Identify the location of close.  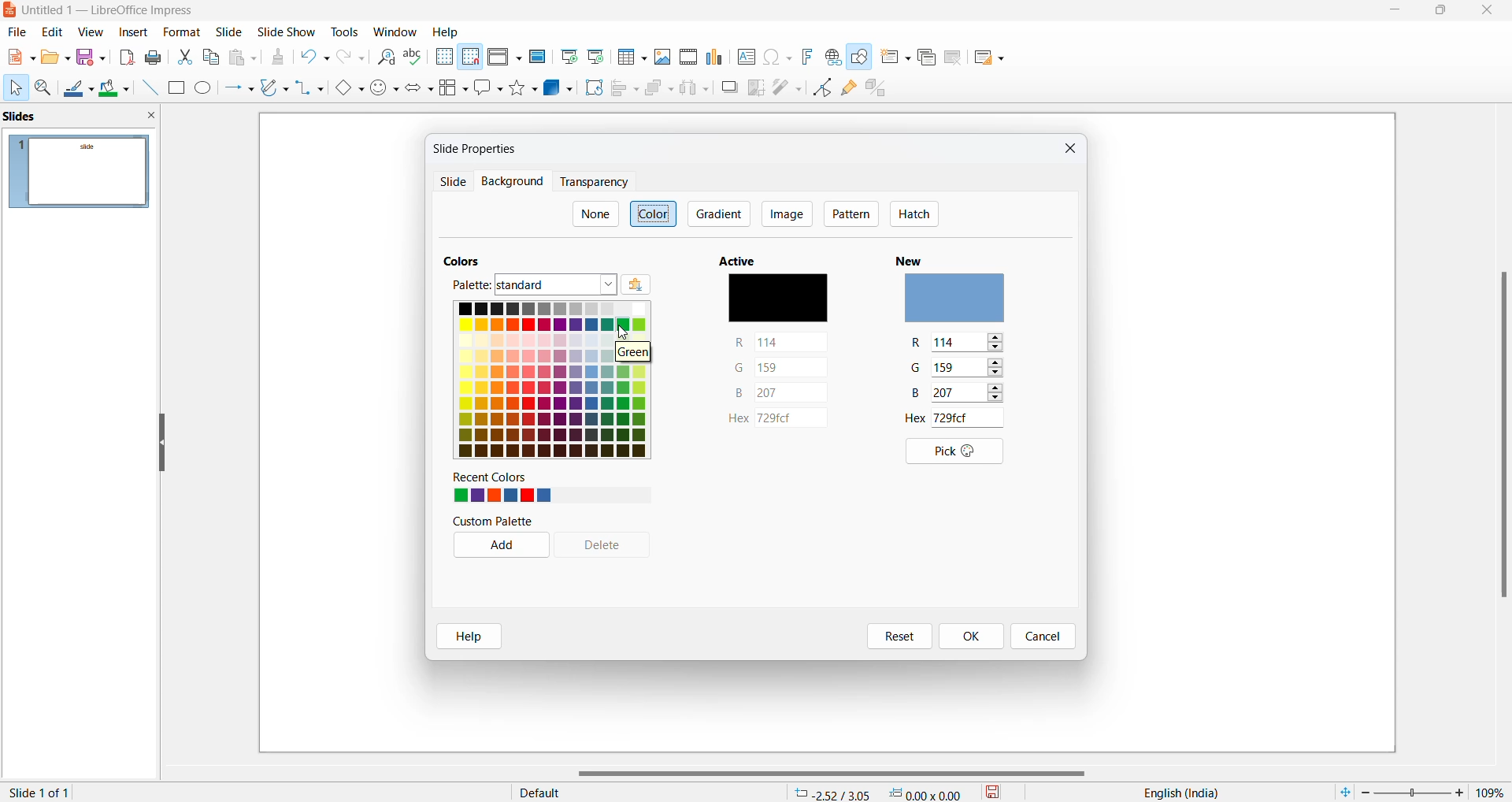
(1490, 11).